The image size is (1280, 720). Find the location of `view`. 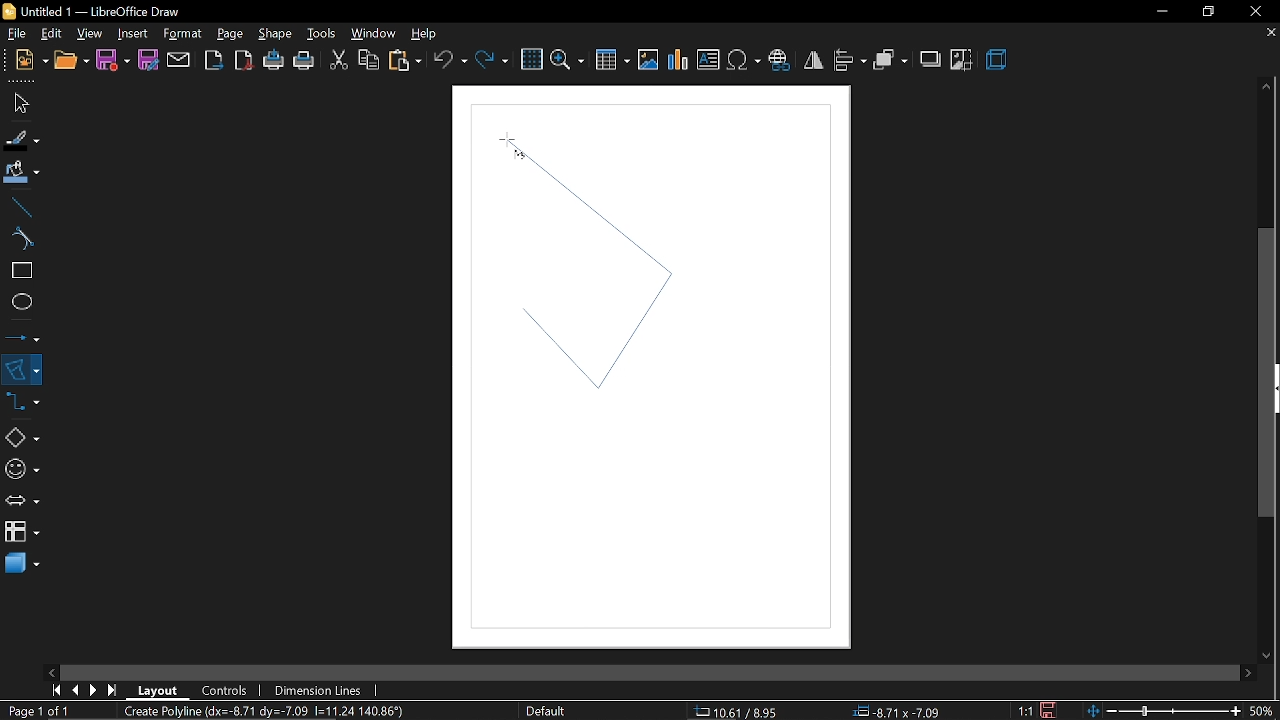

view is located at coordinates (90, 32).